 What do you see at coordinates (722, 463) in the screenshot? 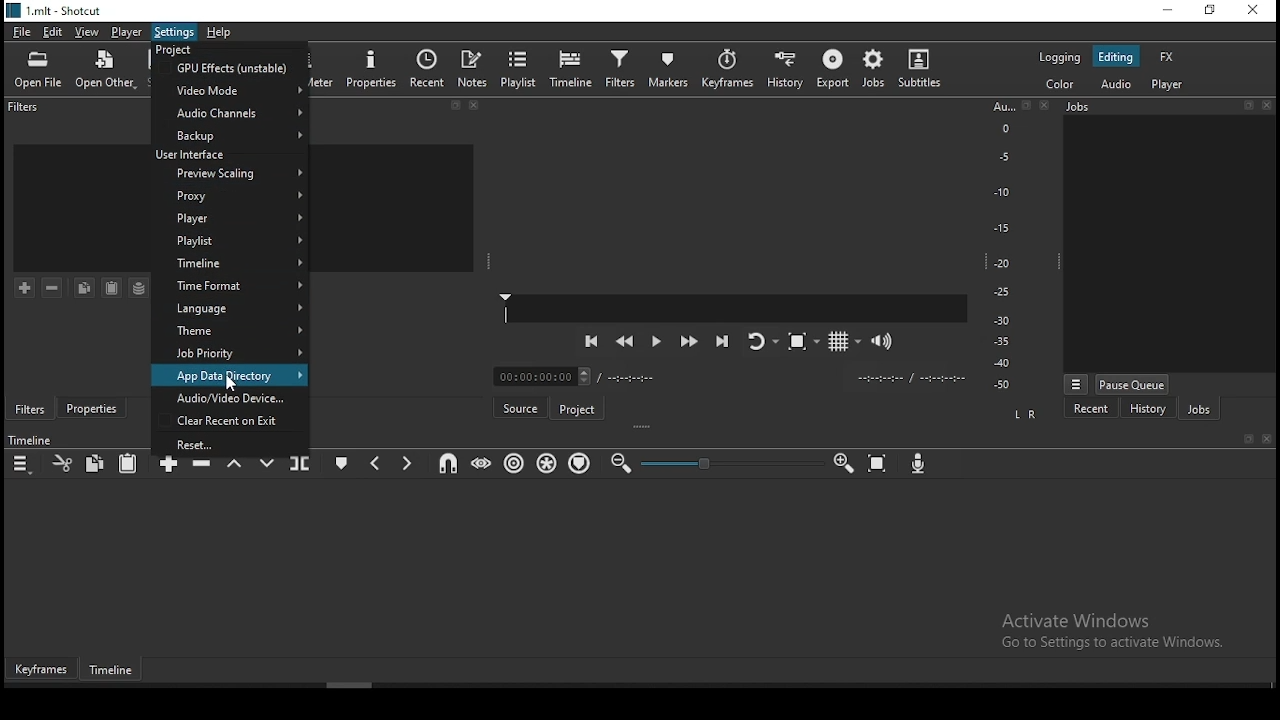
I see `zoom in or zoom out bar` at bounding box center [722, 463].